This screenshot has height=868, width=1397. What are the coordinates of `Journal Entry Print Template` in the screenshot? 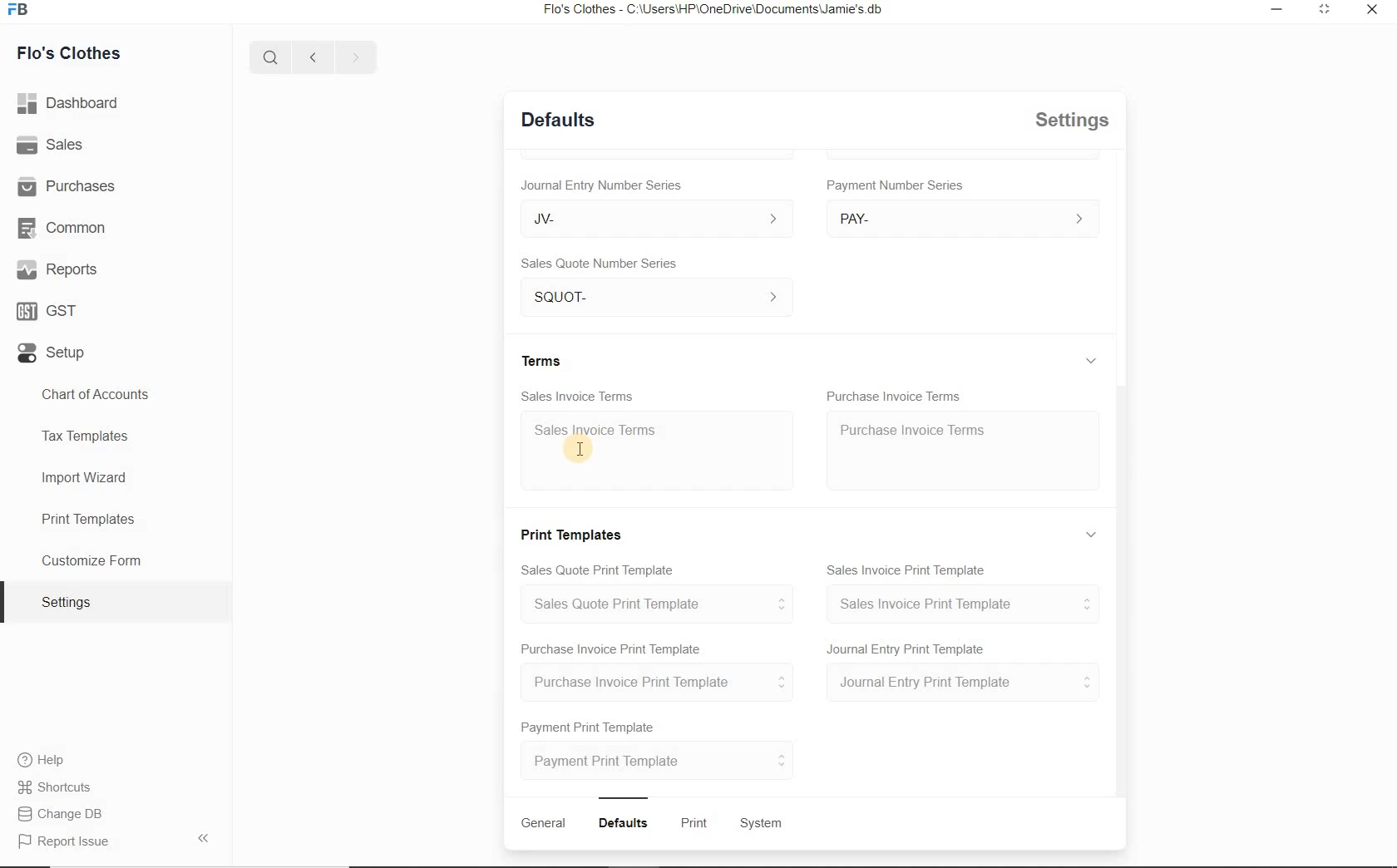 It's located at (907, 648).